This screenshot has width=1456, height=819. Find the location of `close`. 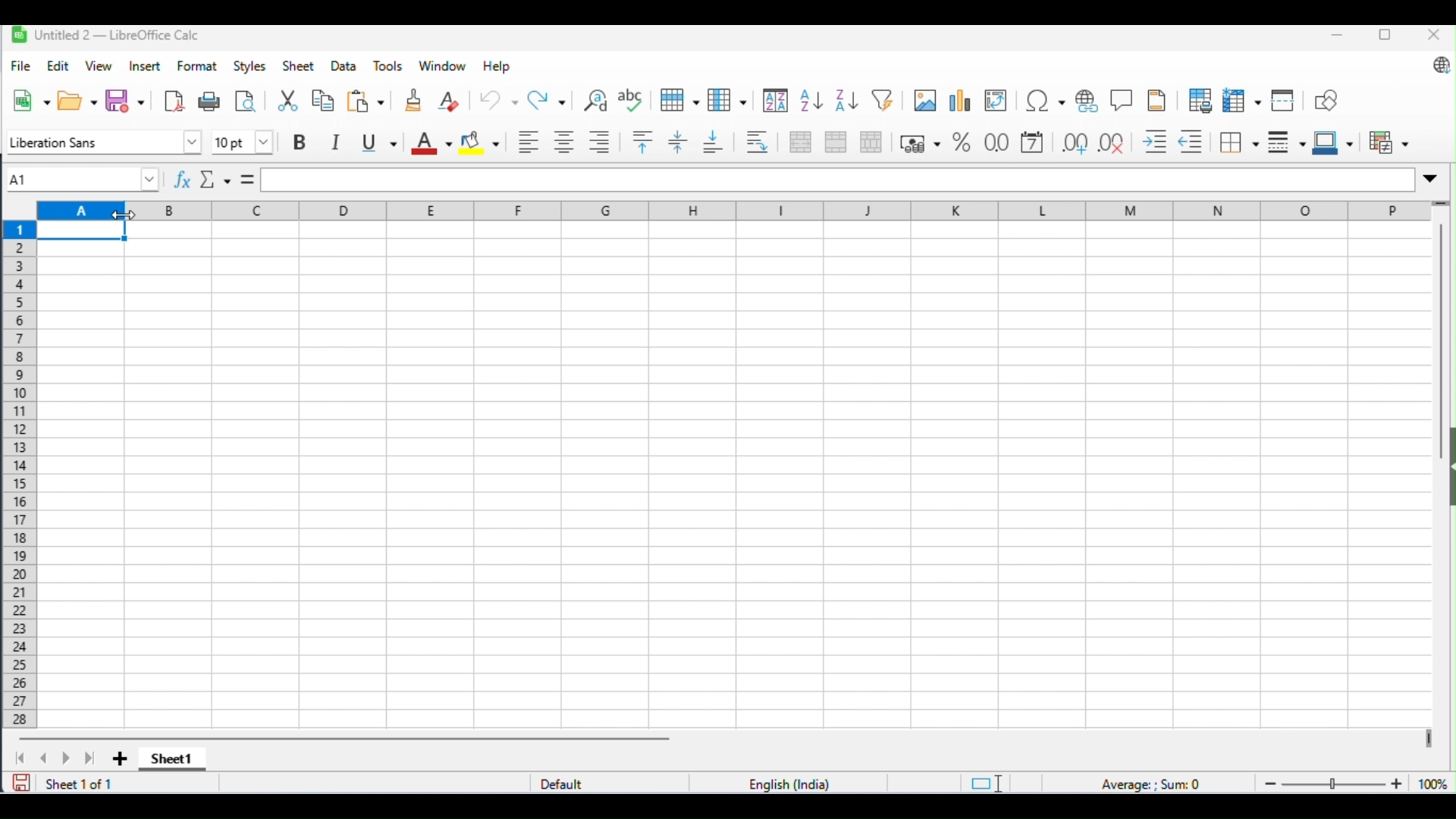

close is located at coordinates (1432, 35).